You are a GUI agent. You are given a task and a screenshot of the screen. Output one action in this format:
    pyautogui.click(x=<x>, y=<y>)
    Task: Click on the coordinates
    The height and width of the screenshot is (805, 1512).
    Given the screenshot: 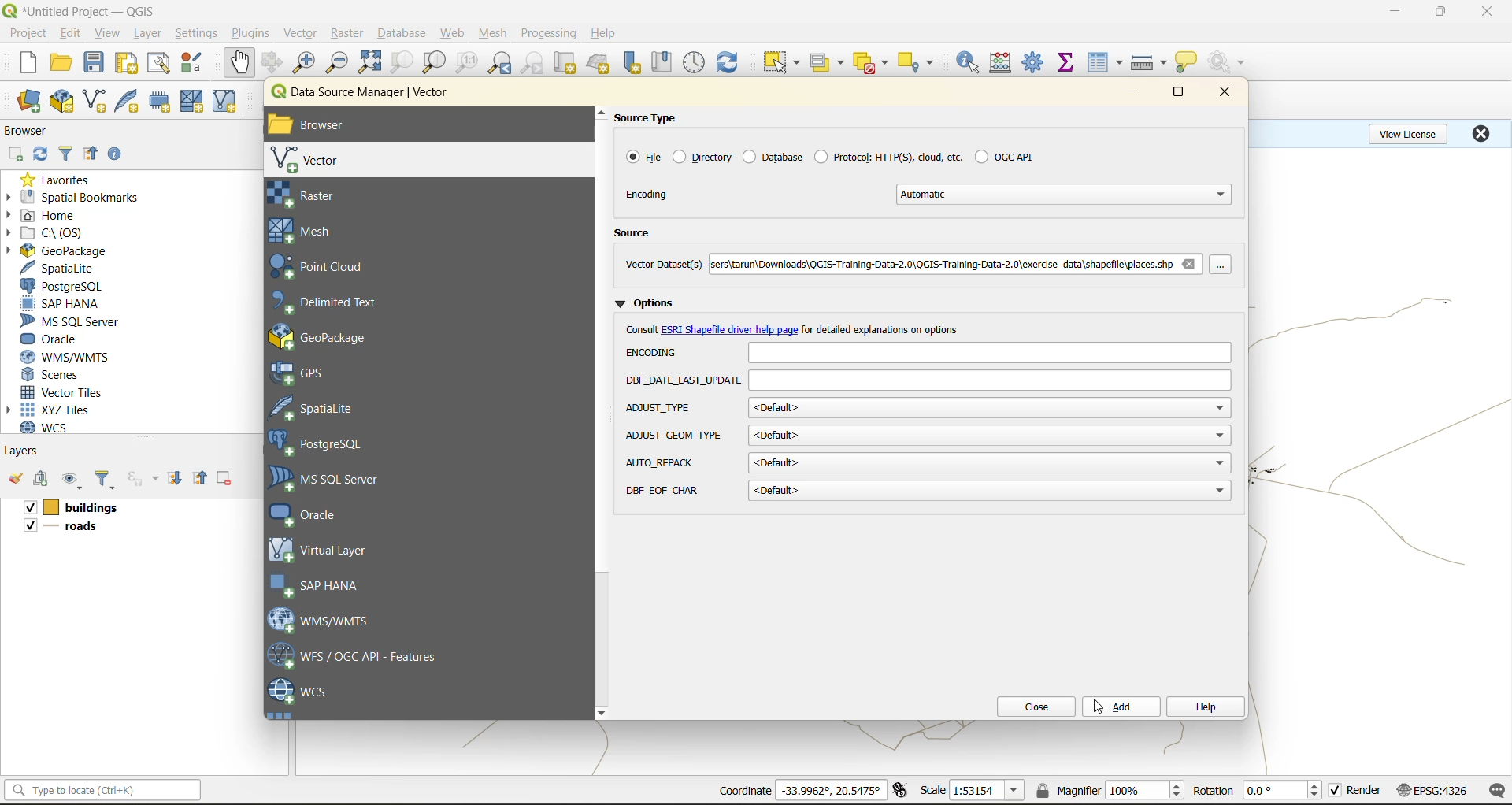 What is the action you would take?
    pyautogui.click(x=831, y=790)
    